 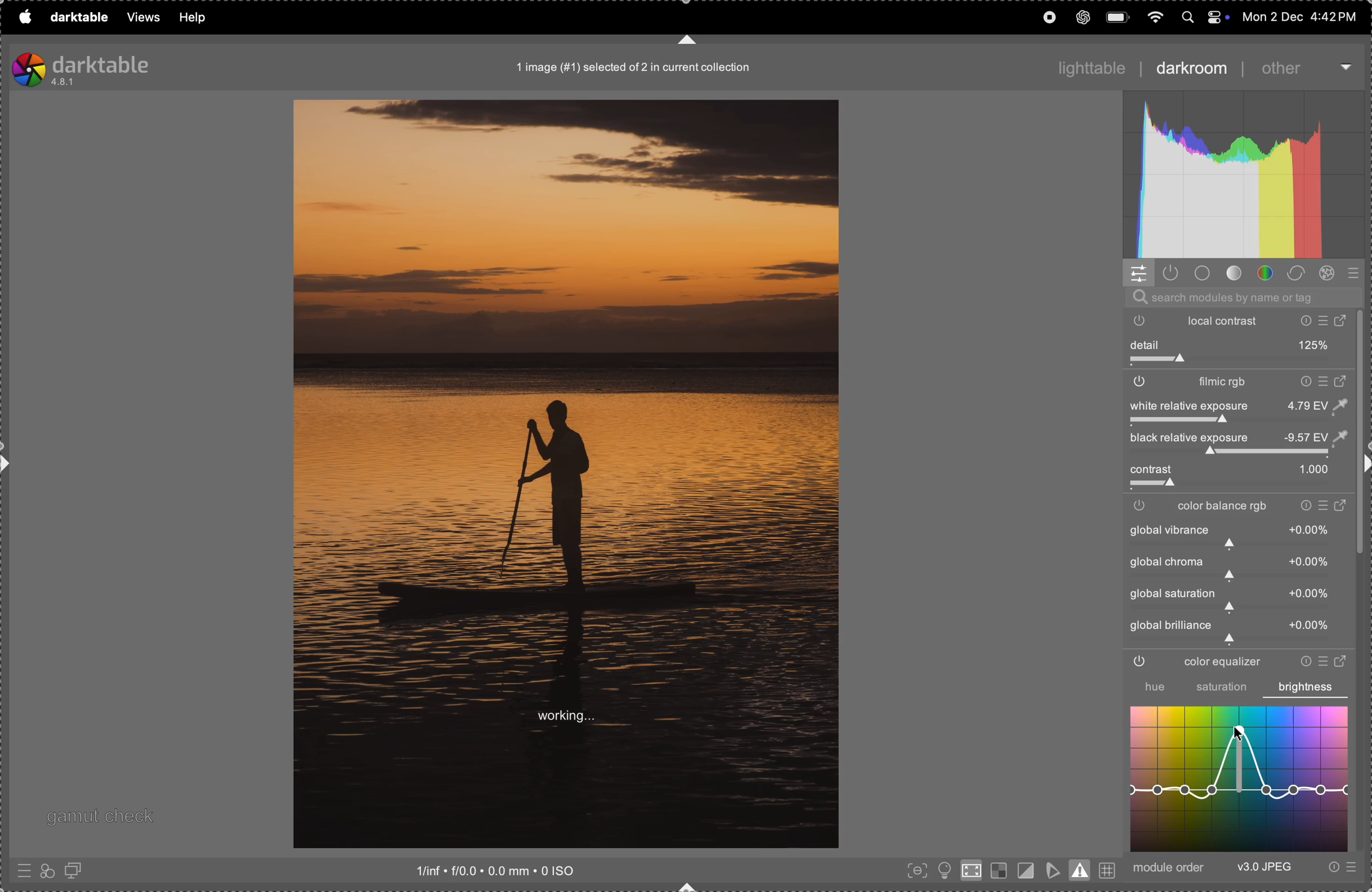 I want to click on searchbar, so click(x=1241, y=297).